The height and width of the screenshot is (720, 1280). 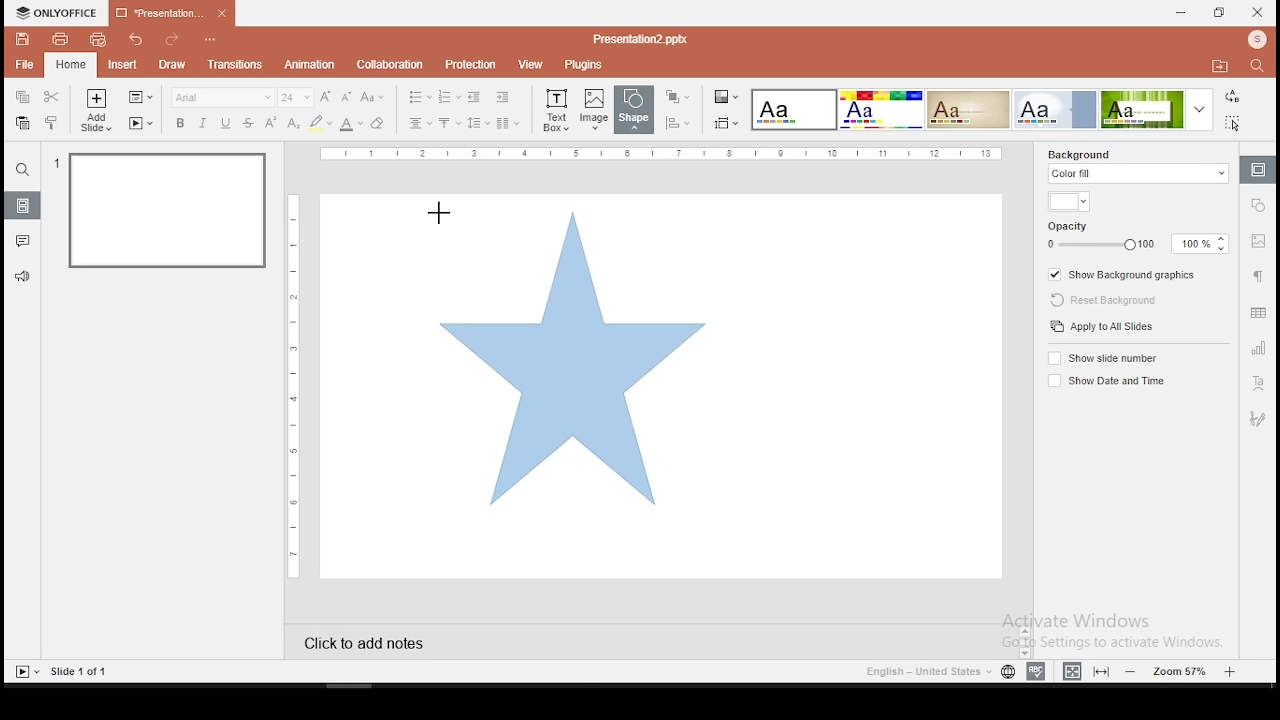 I want to click on vertical scale, so click(x=297, y=383).